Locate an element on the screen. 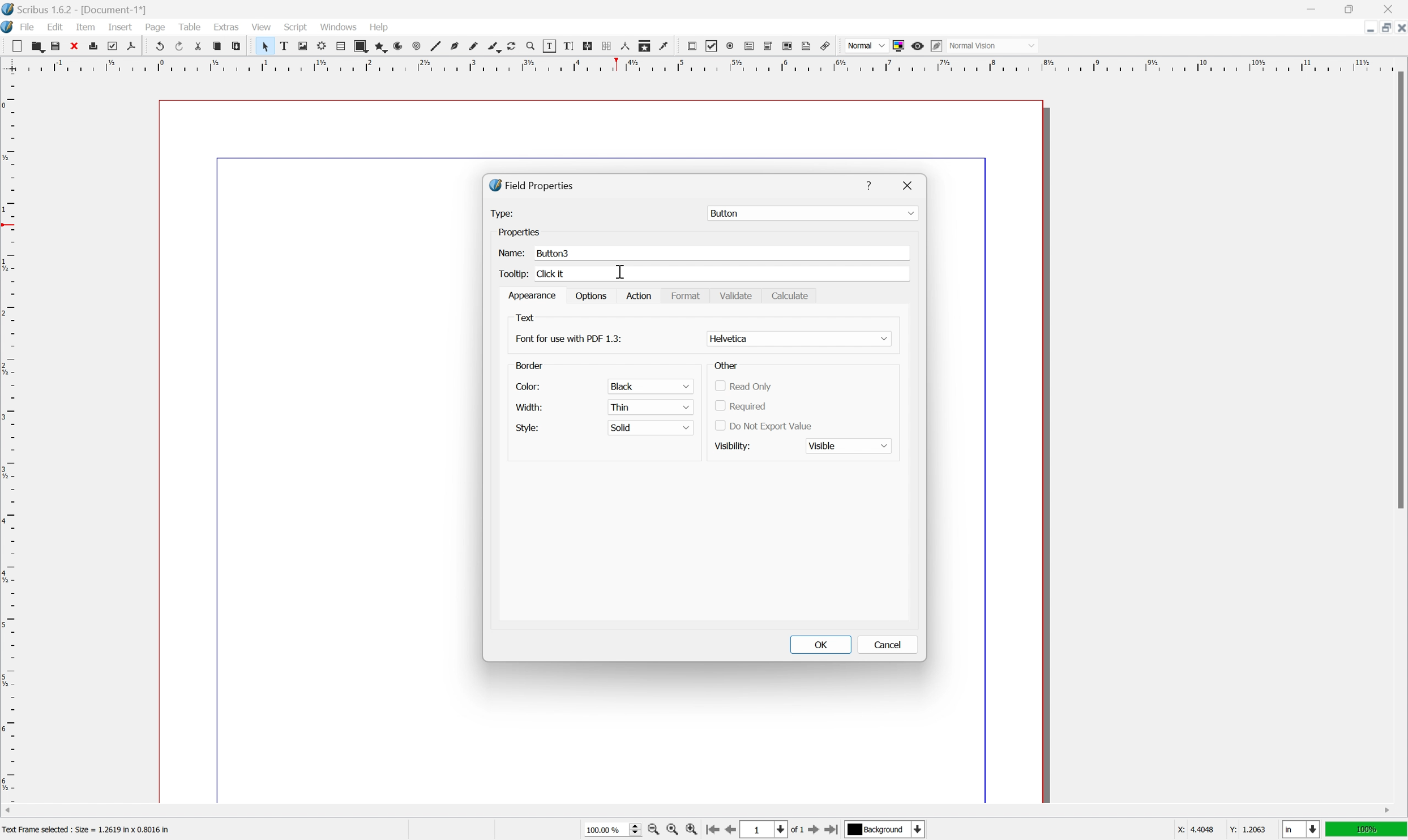 The width and height of the screenshot is (1408, 840). color: is located at coordinates (525, 387).